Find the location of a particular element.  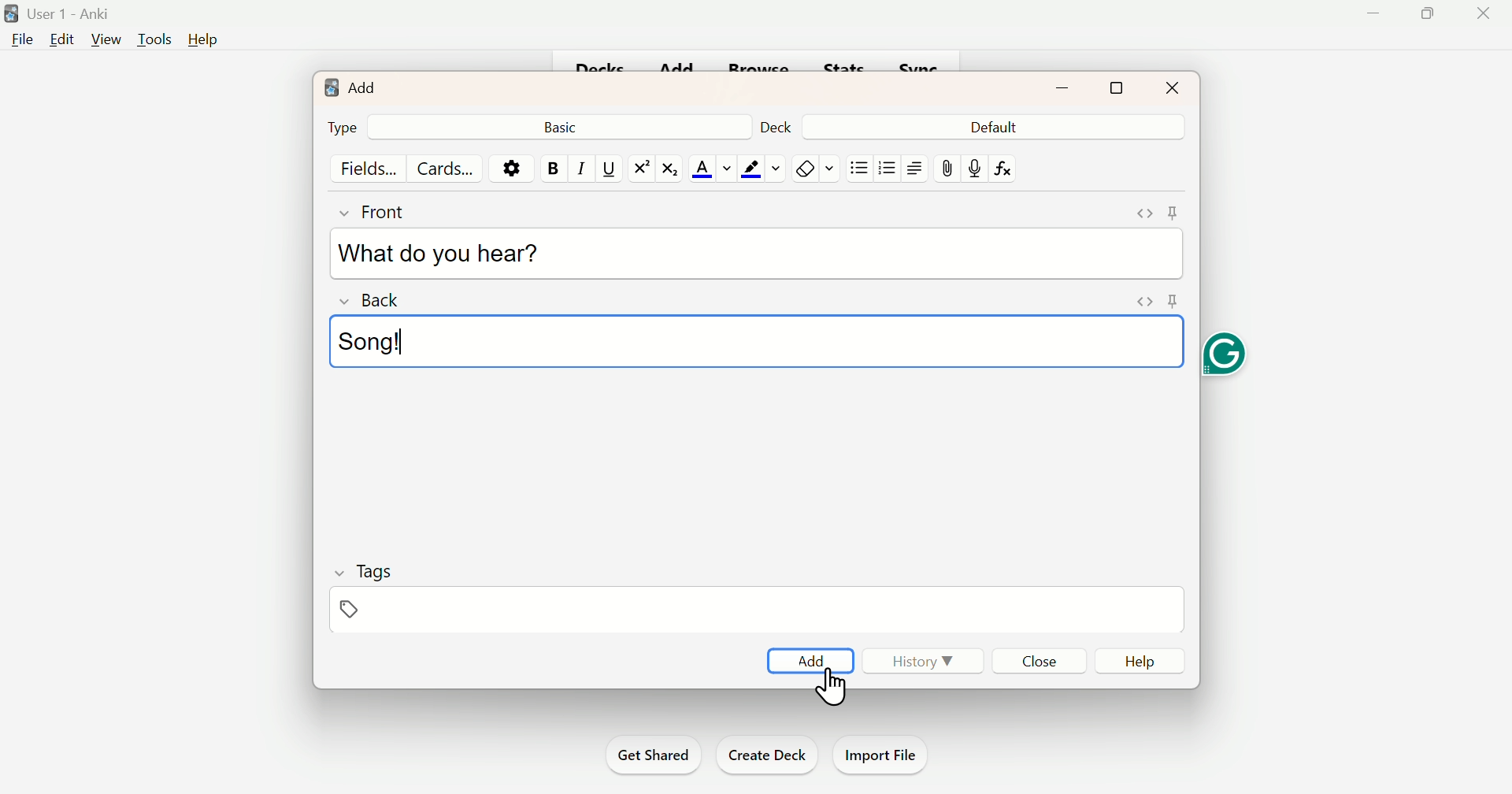

Right side is located at coordinates (914, 168).